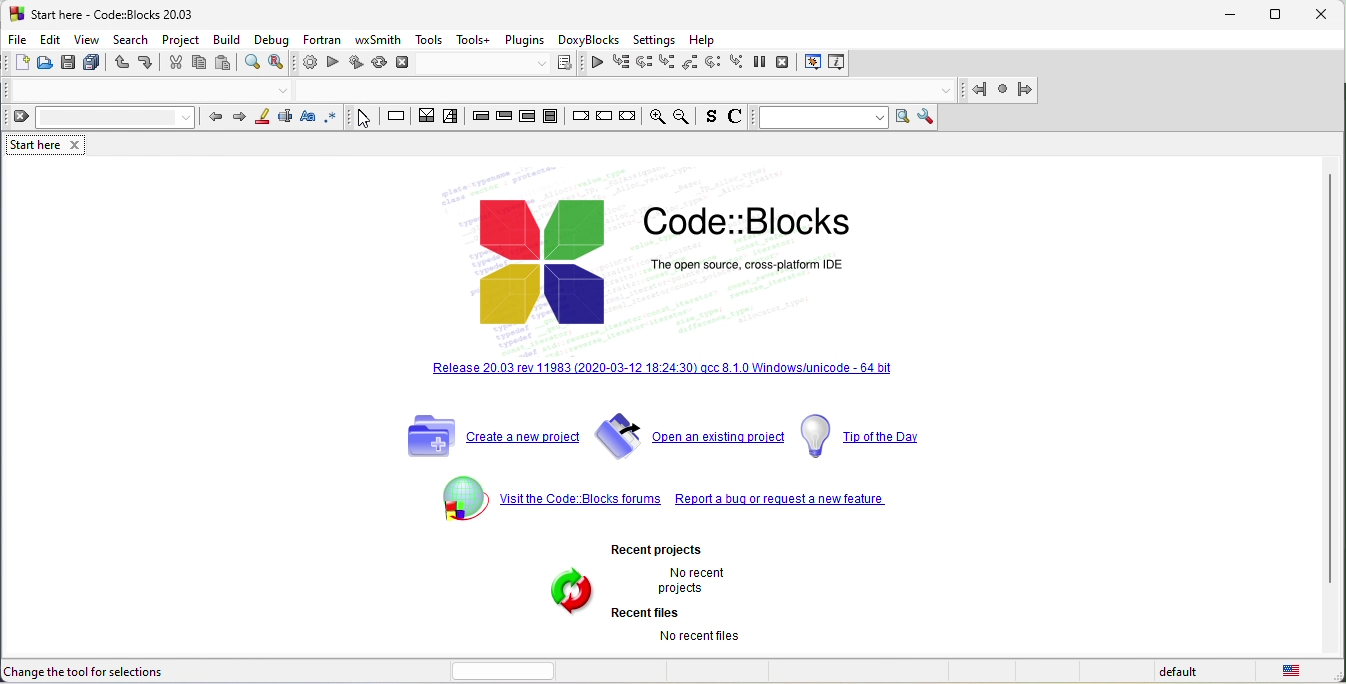 The height and width of the screenshot is (684, 1346). What do you see at coordinates (19, 41) in the screenshot?
I see `file` at bounding box center [19, 41].